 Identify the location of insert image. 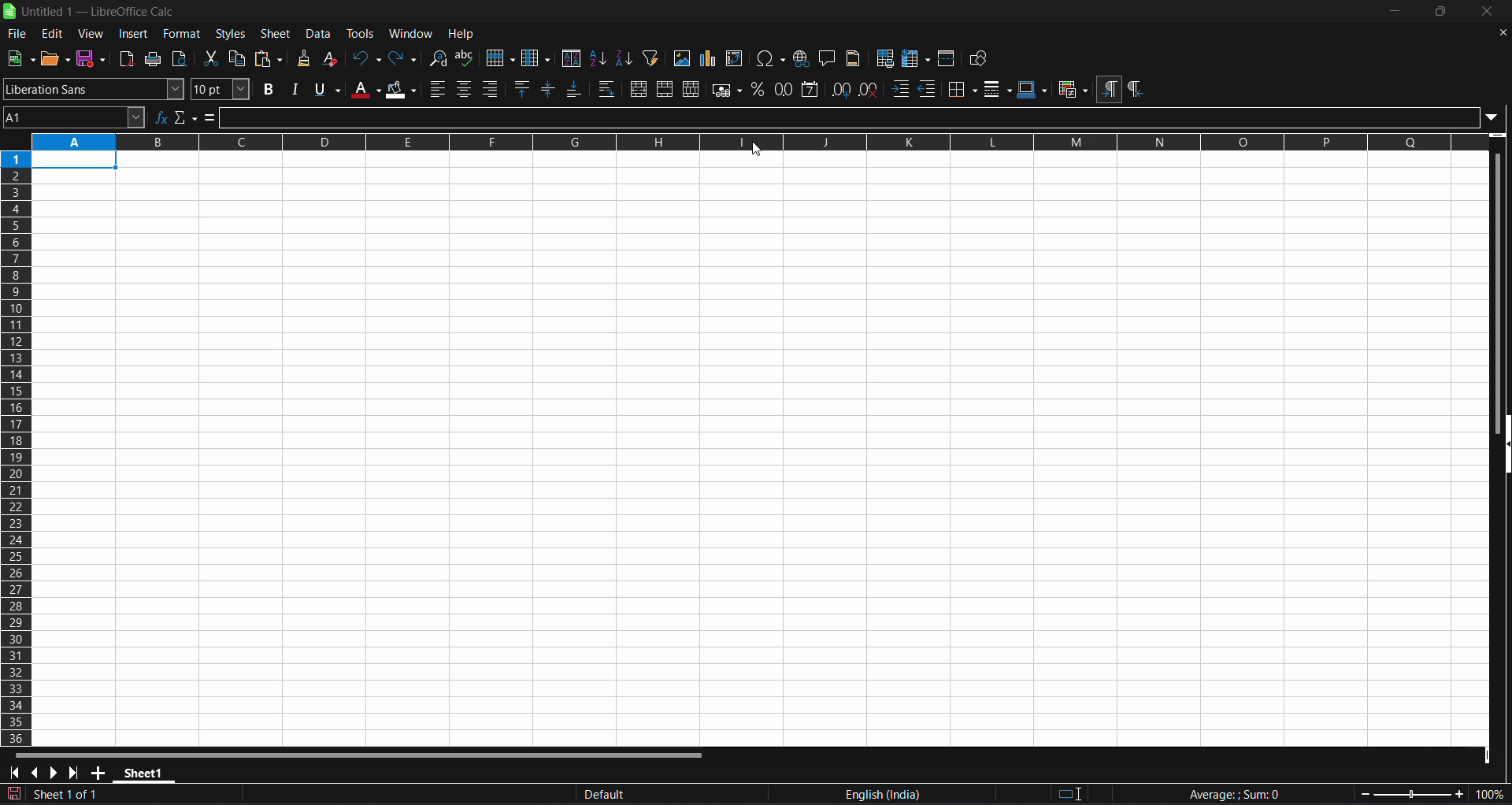
(683, 58).